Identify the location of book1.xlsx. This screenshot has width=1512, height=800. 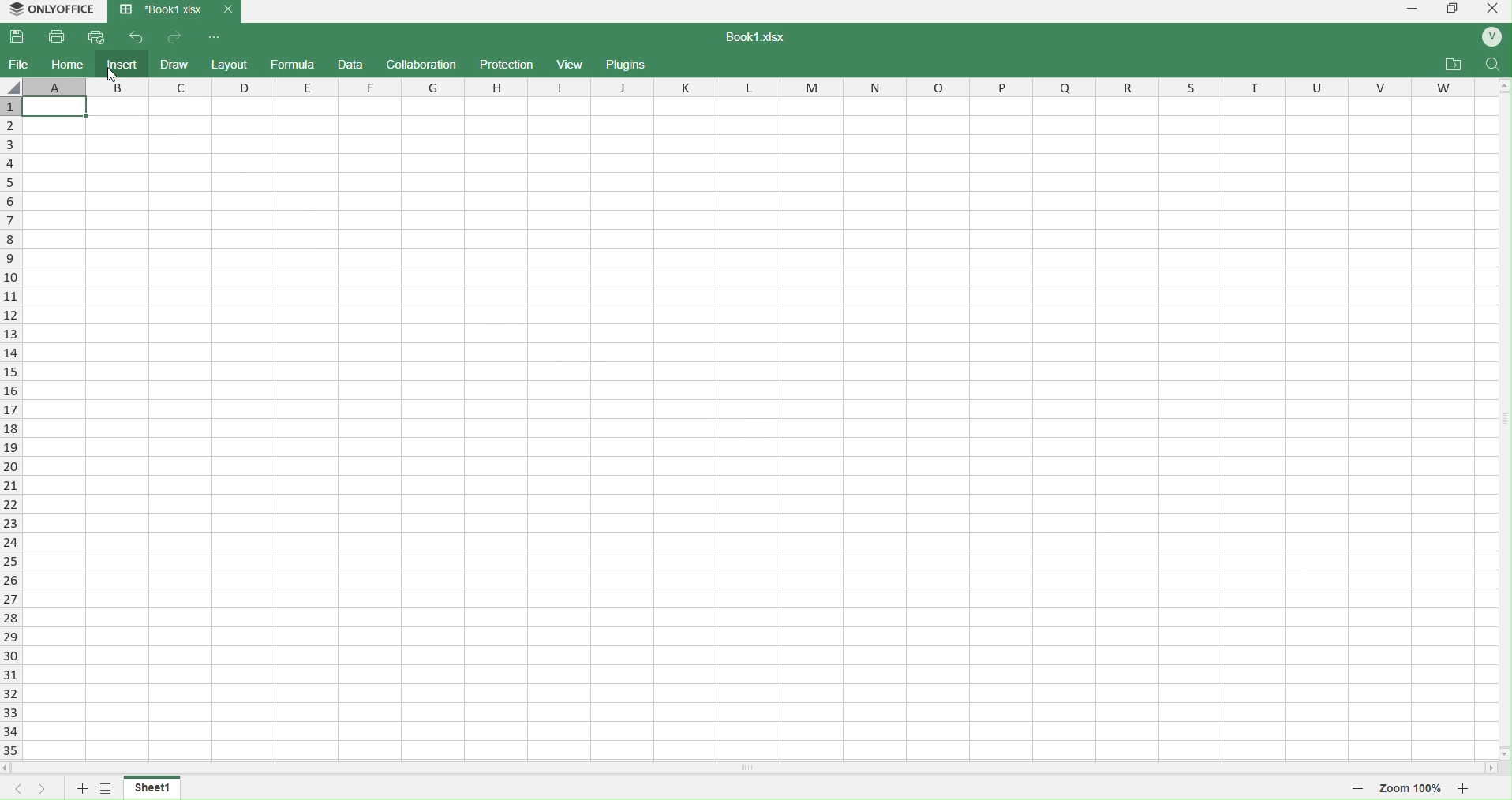
(764, 39).